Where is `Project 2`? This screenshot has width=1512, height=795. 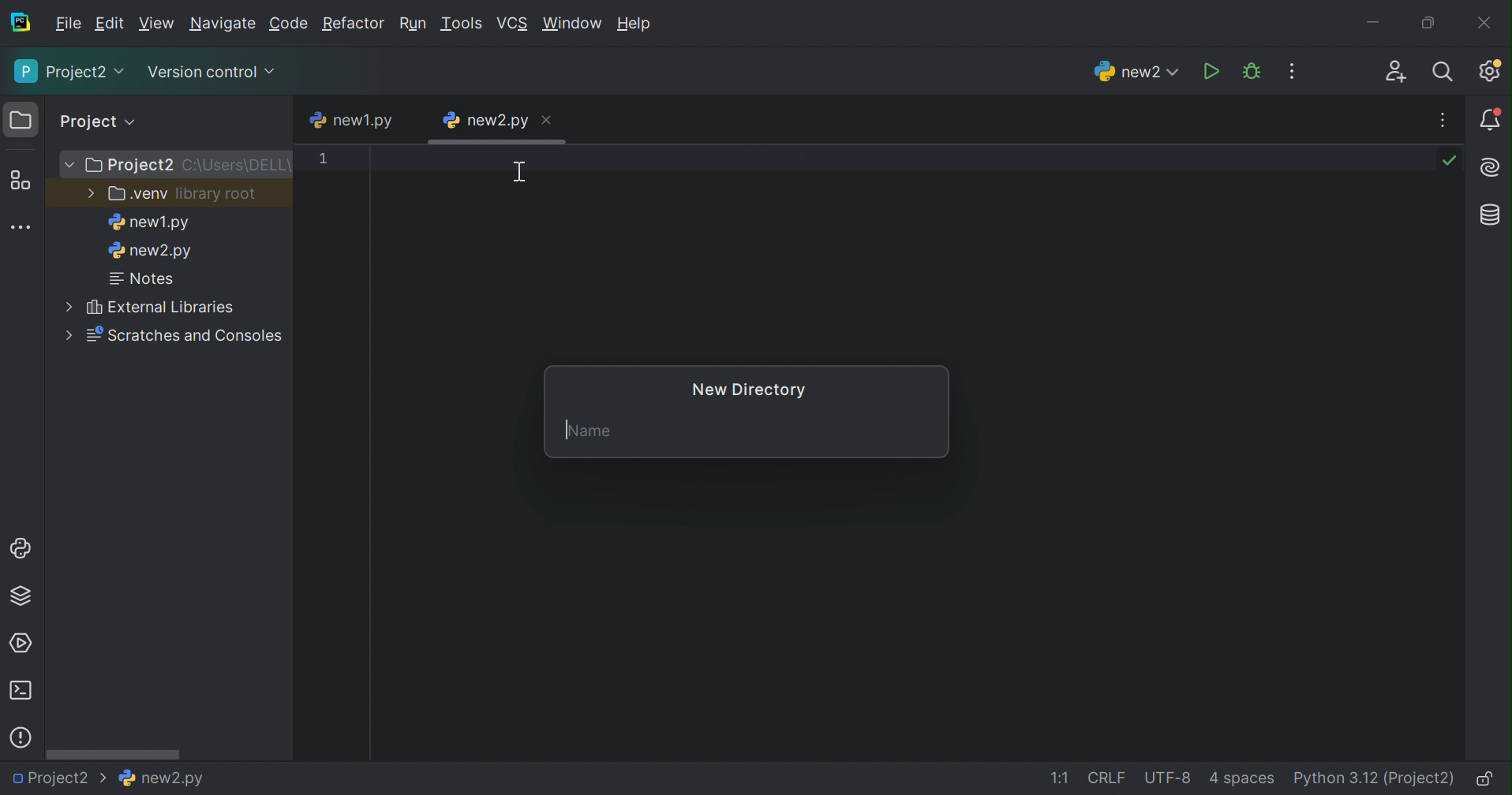 Project 2 is located at coordinates (132, 166).